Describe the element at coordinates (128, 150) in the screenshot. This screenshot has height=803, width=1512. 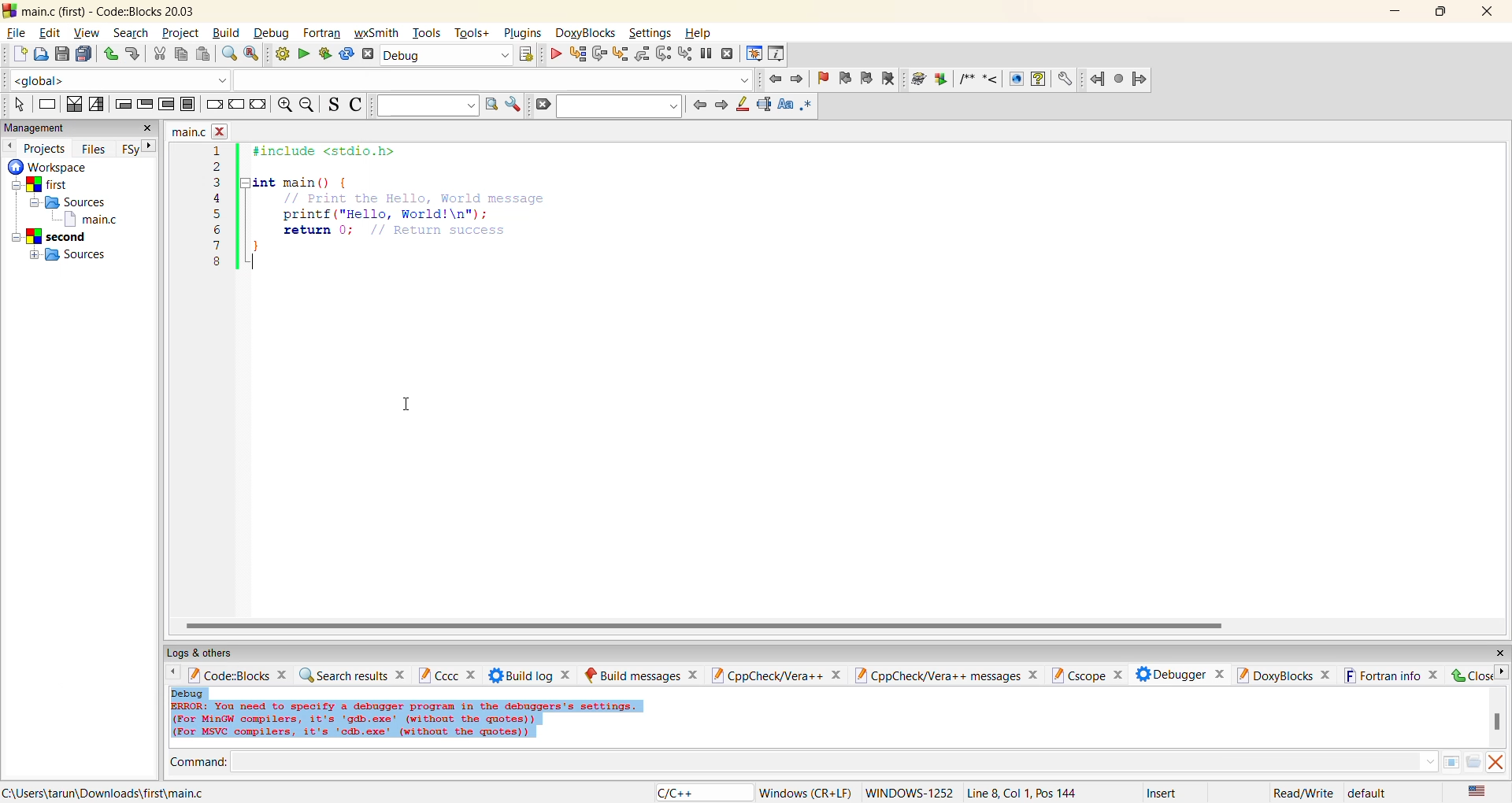
I see `FSY` at that location.